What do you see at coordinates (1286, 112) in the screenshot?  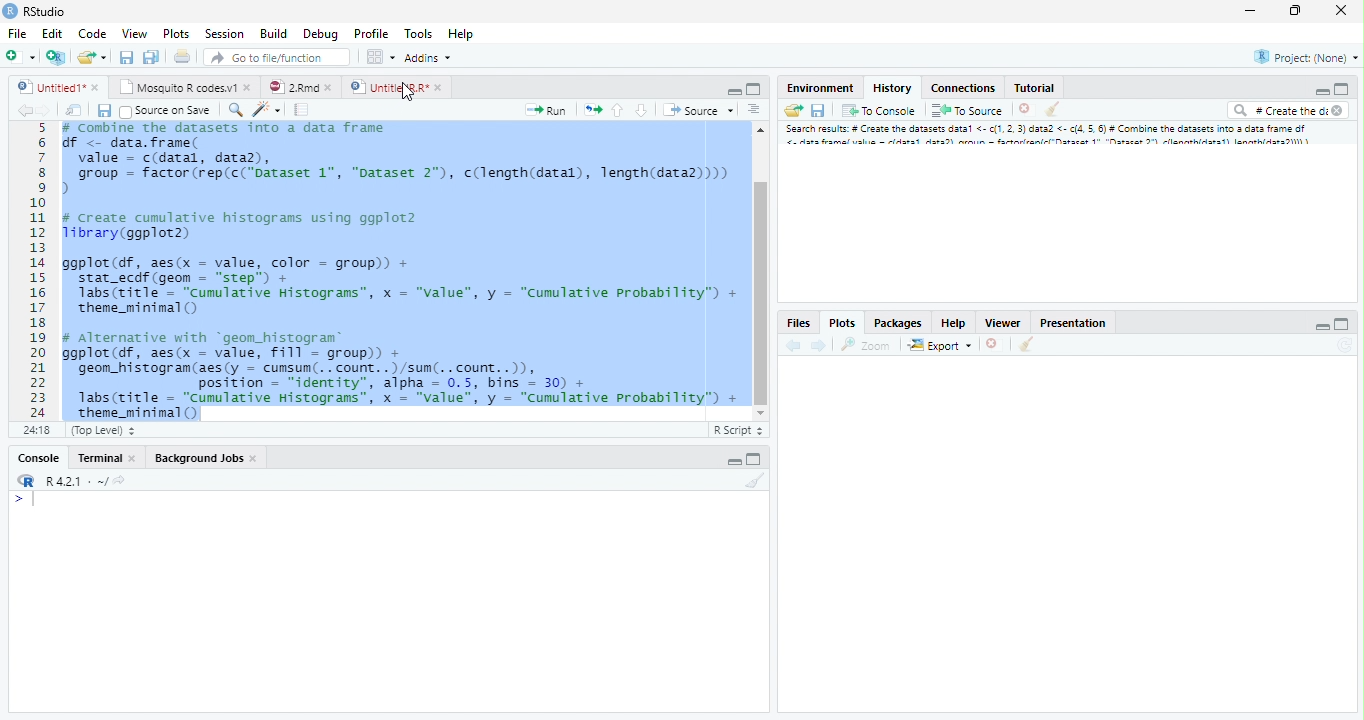 I see `# Create the di` at bounding box center [1286, 112].